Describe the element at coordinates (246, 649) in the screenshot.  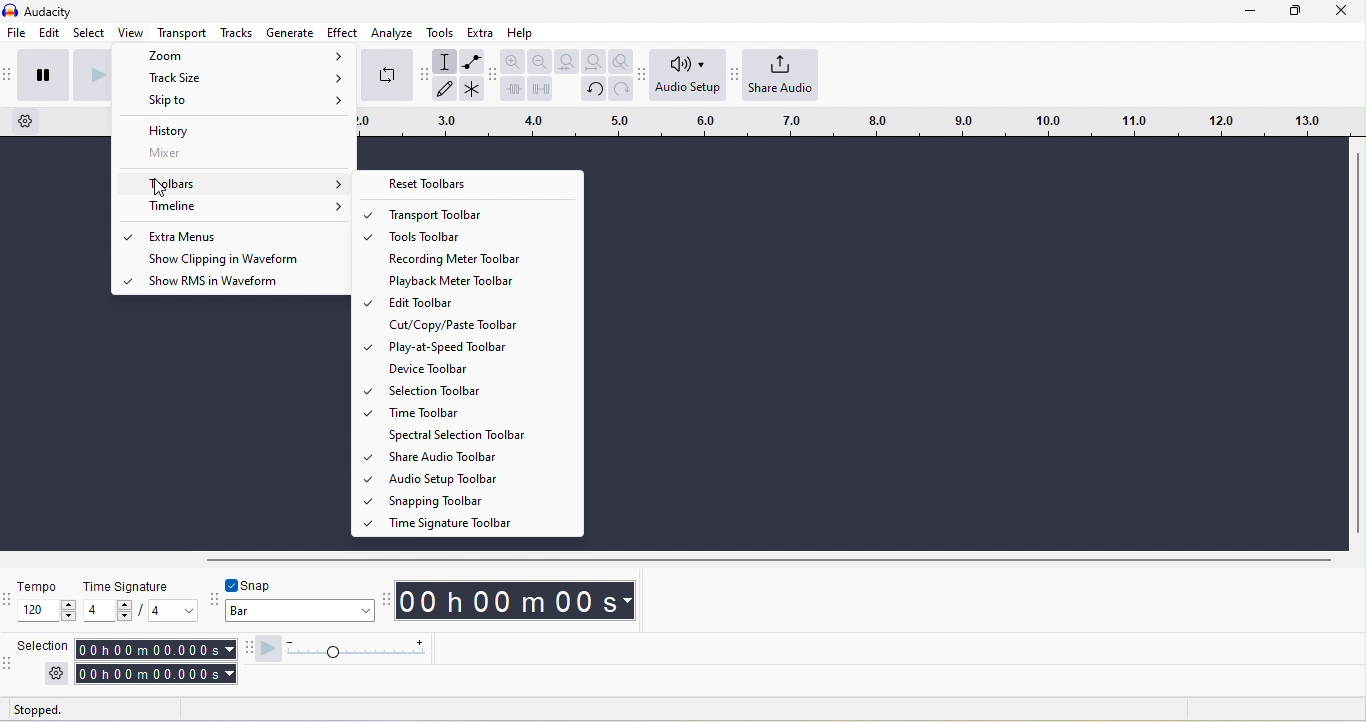
I see `play at speed toolbar` at that location.